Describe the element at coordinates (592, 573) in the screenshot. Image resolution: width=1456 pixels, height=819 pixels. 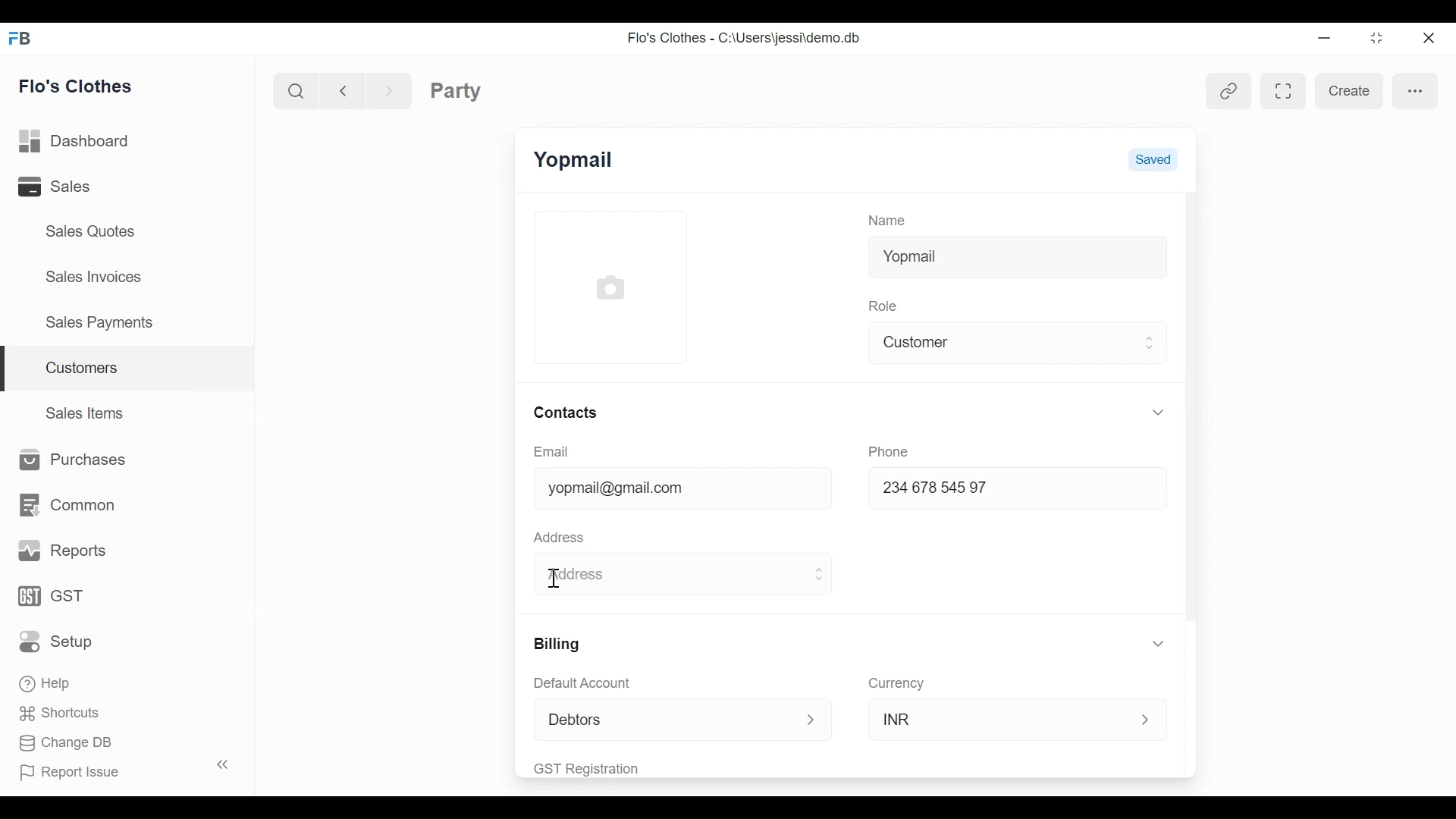
I see `Address` at that location.